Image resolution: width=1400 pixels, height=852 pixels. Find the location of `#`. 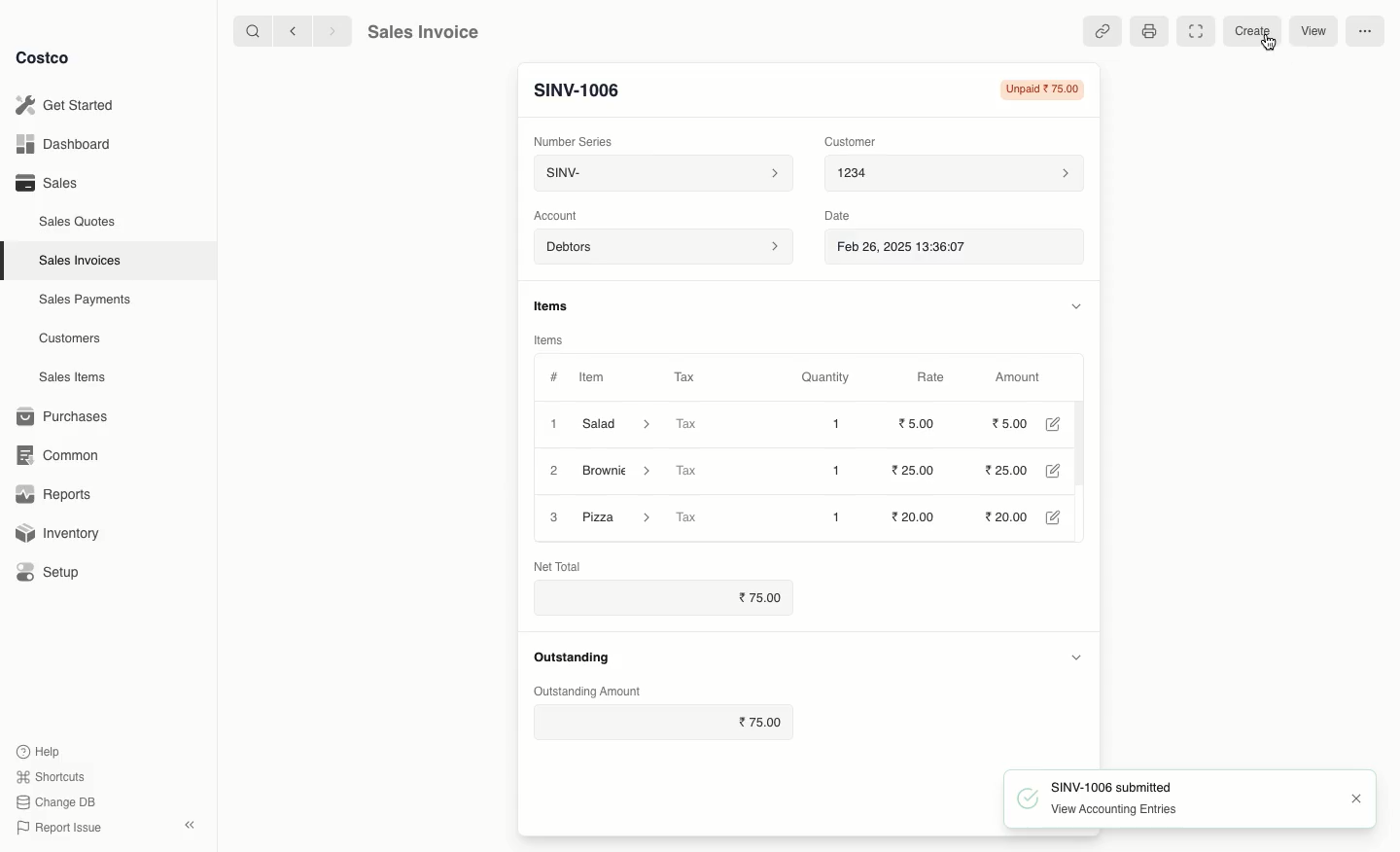

# is located at coordinates (554, 375).